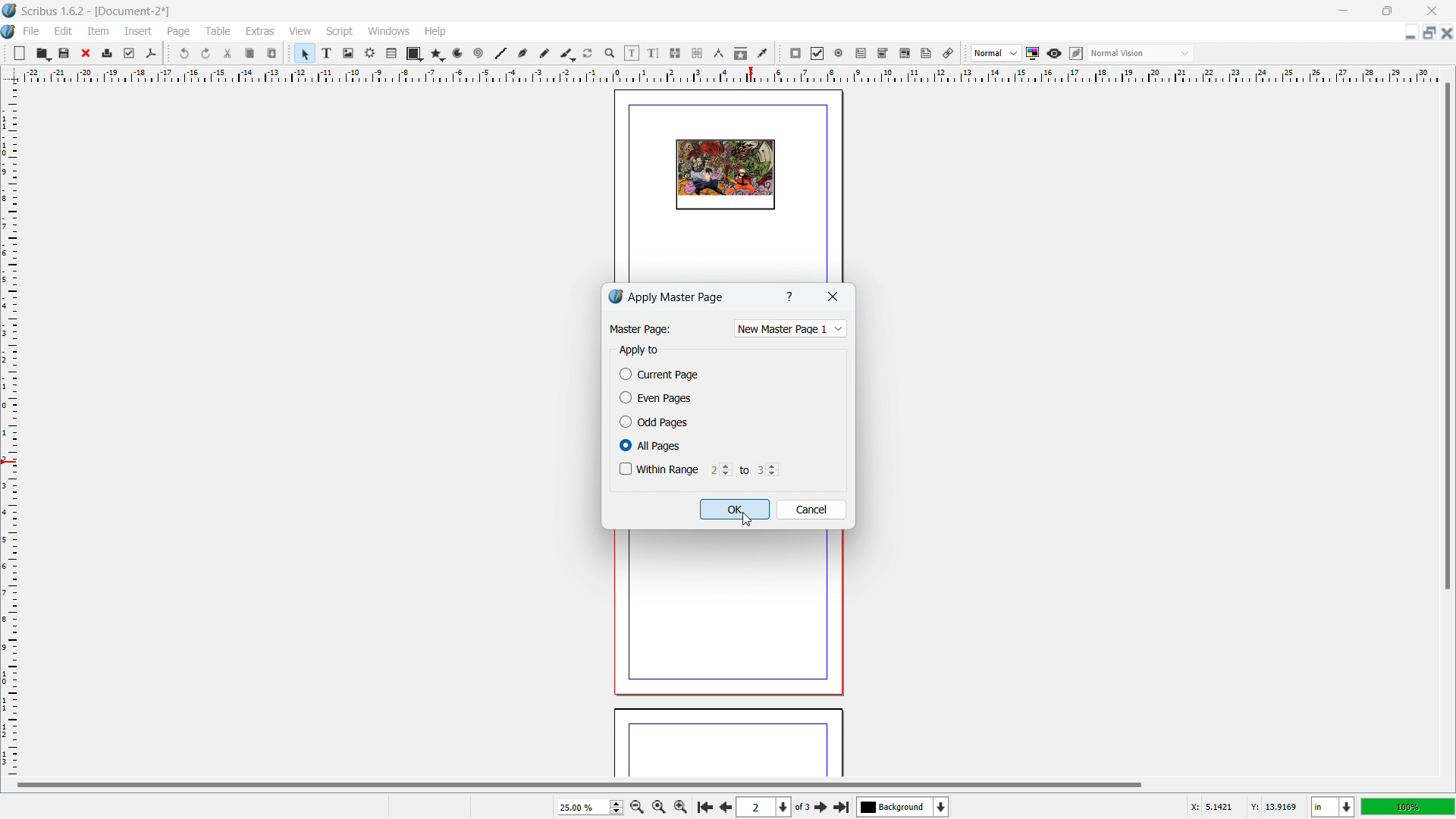 Image resolution: width=1456 pixels, height=819 pixels. Describe the element at coordinates (723, 618) in the screenshot. I see `page` at that location.